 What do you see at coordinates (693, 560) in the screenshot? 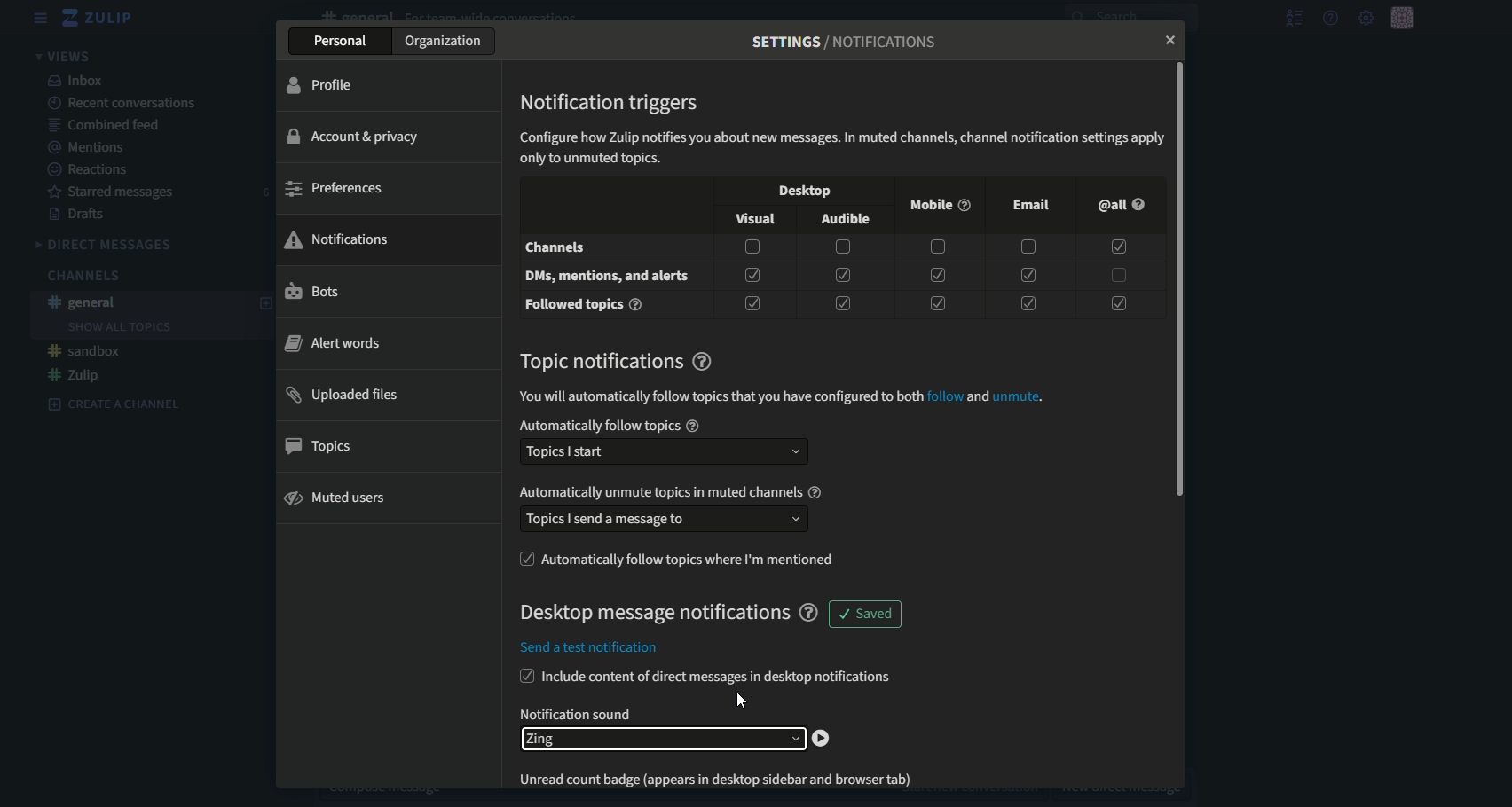
I see `text` at bounding box center [693, 560].